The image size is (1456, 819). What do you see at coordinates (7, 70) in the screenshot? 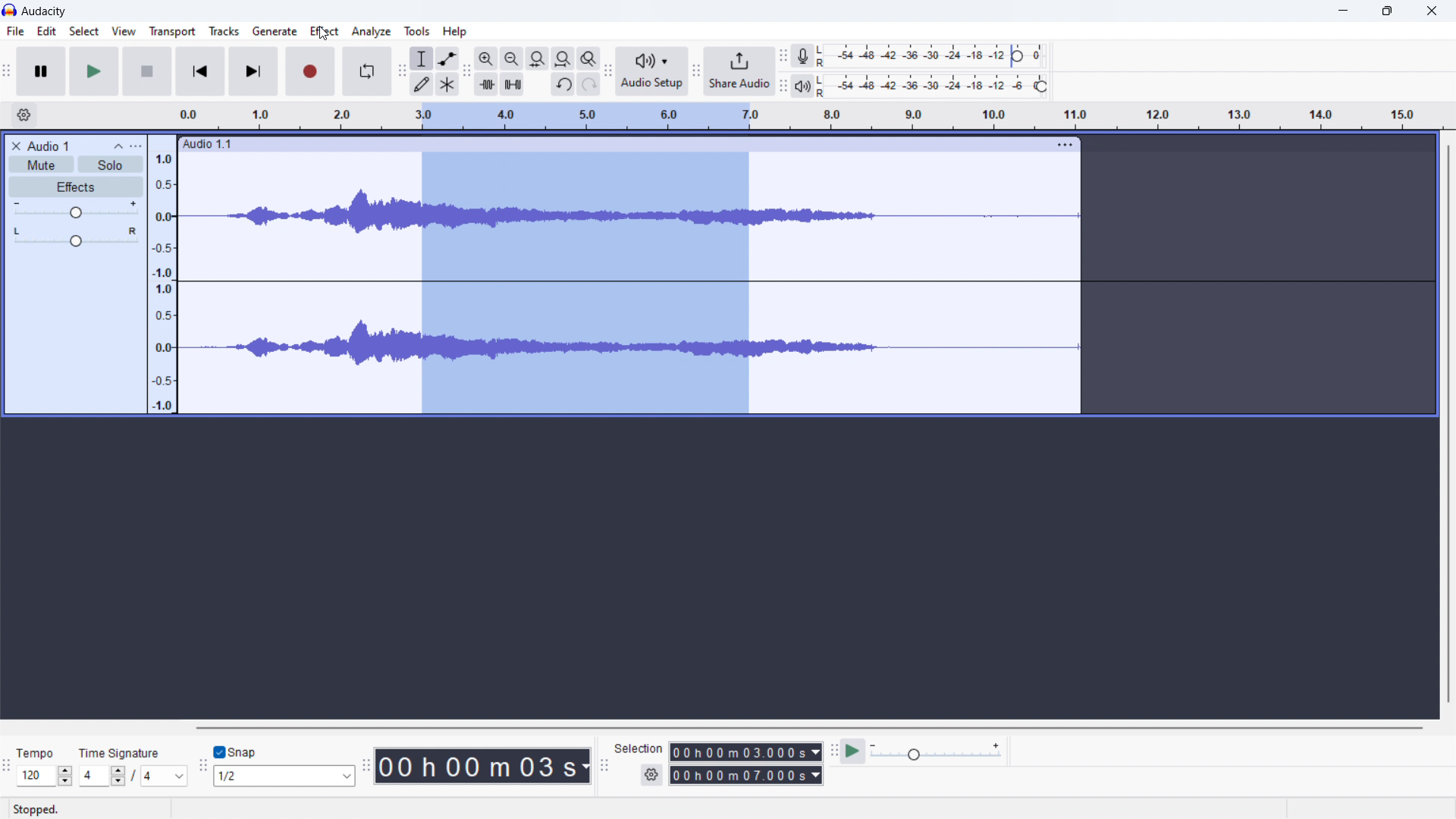
I see `audacity transport window` at bounding box center [7, 70].